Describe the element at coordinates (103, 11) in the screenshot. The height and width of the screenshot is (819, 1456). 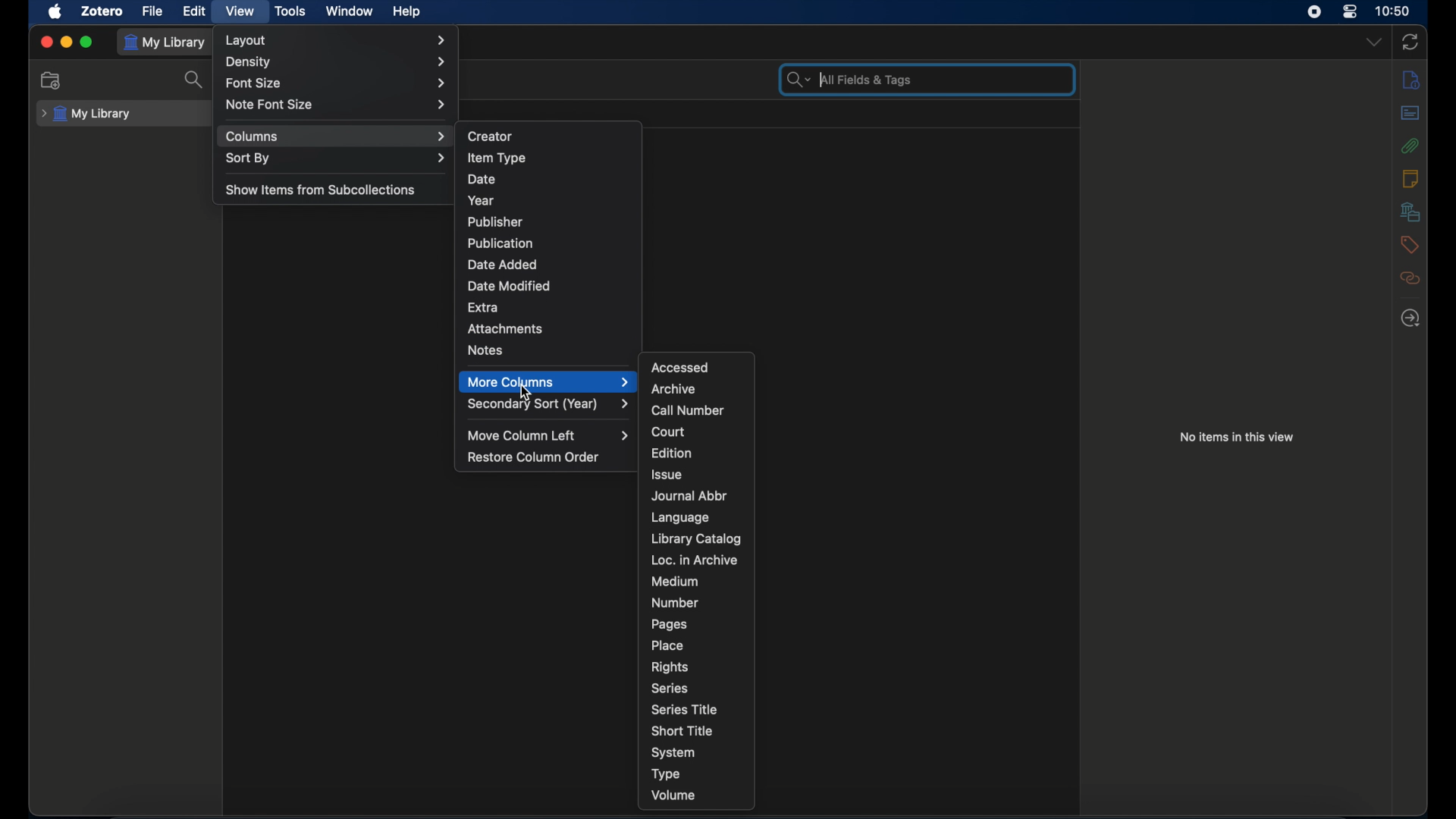
I see `zotero` at that location.